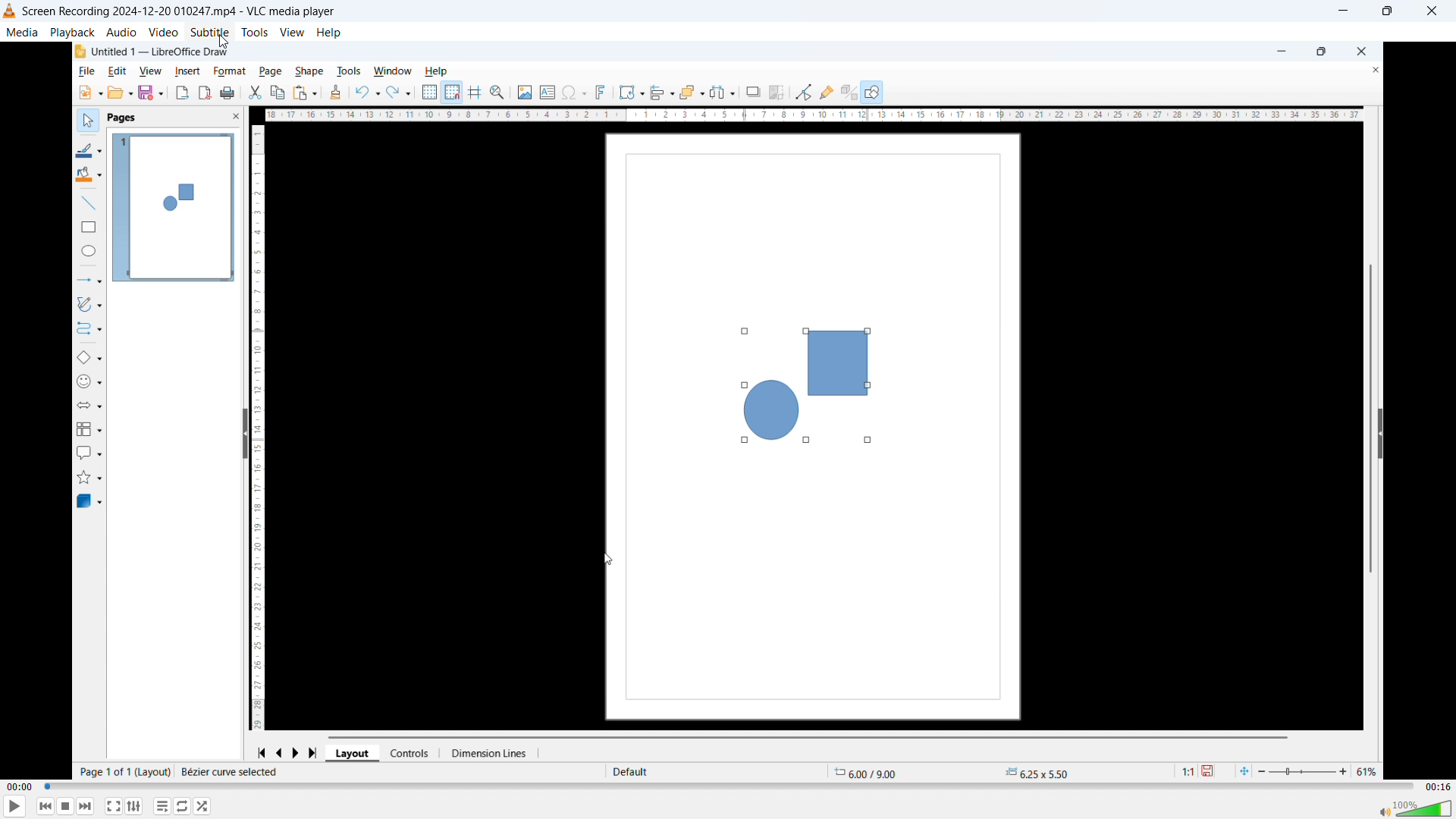 This screenshot has width=1456, height=819. What do you see at coordinates (88, 281) in the screenshot?
I see `line and arrow` at bounding box center [88, 281].